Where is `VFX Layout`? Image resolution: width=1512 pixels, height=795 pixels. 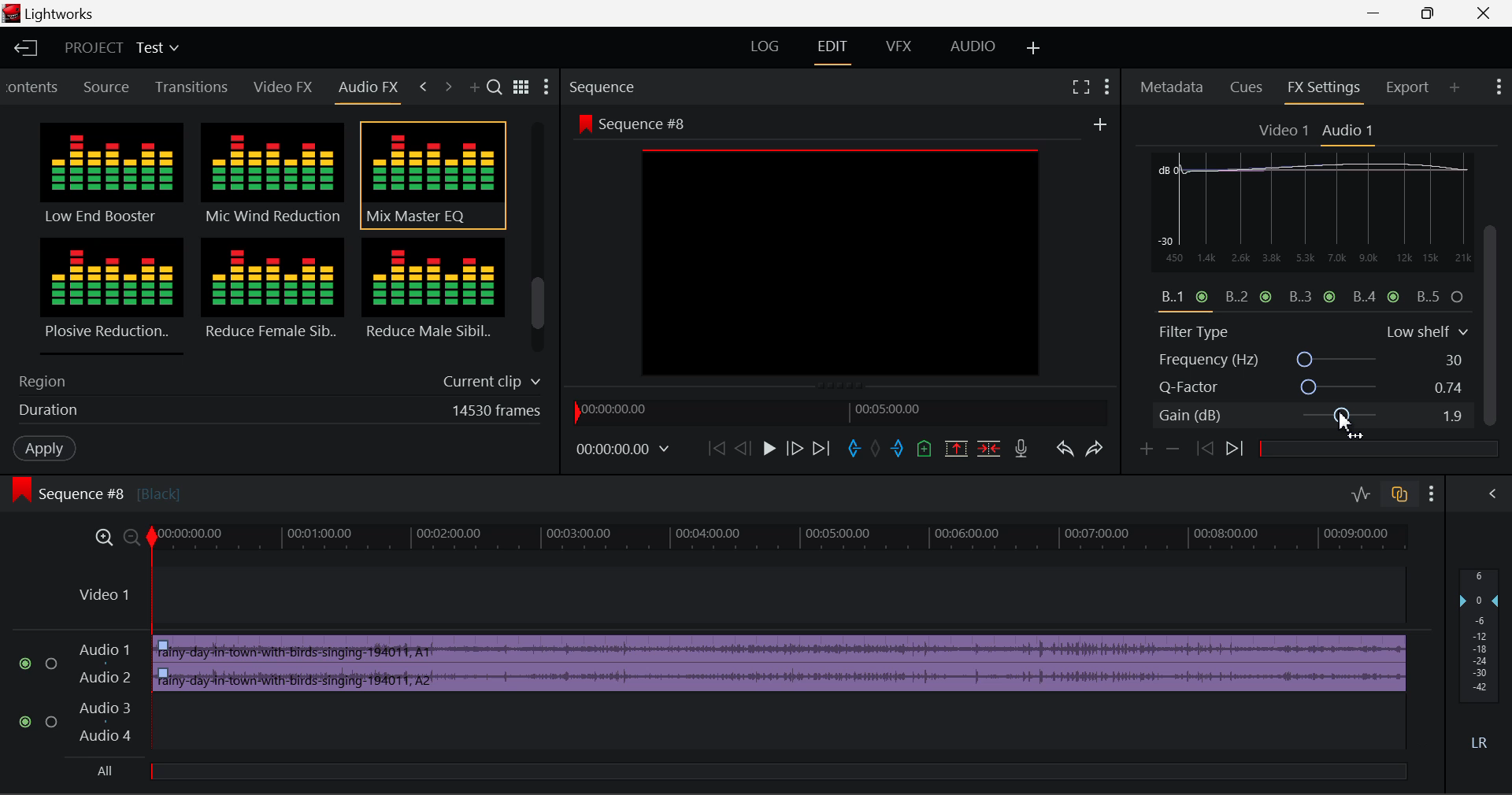
VFX Layout is located at coordinates (902, 50).